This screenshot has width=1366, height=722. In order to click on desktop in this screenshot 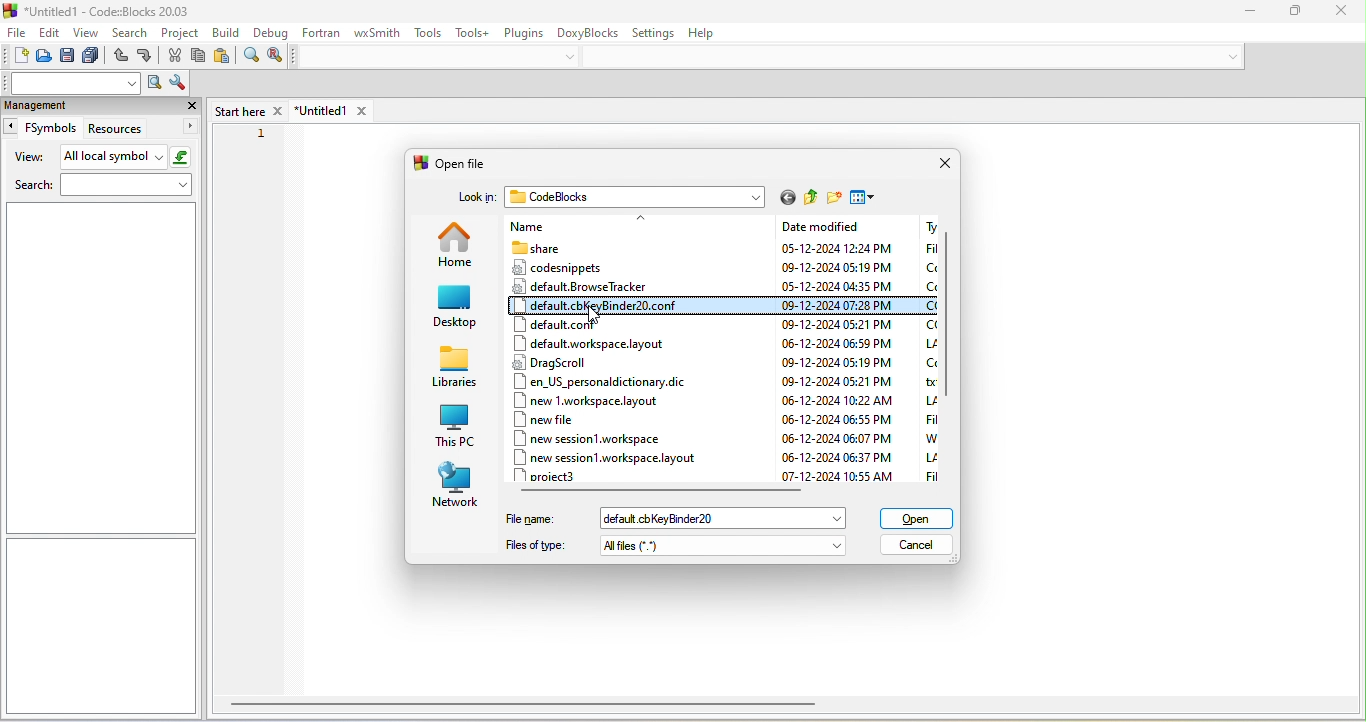, I will do `click(453, 308)`.